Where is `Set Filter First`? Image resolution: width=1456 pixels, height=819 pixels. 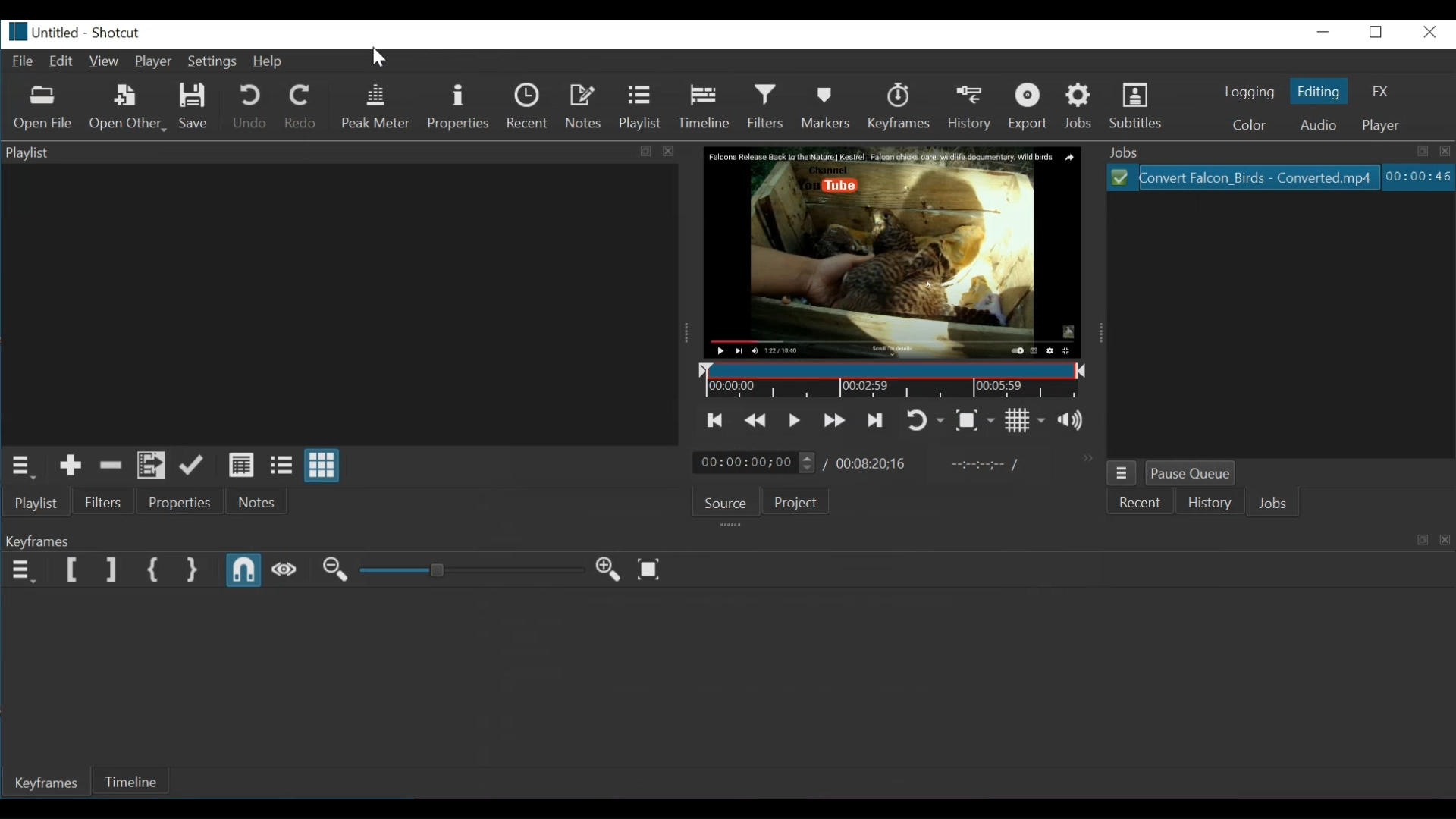
Set Filter First is located at coordinates (74, 571).